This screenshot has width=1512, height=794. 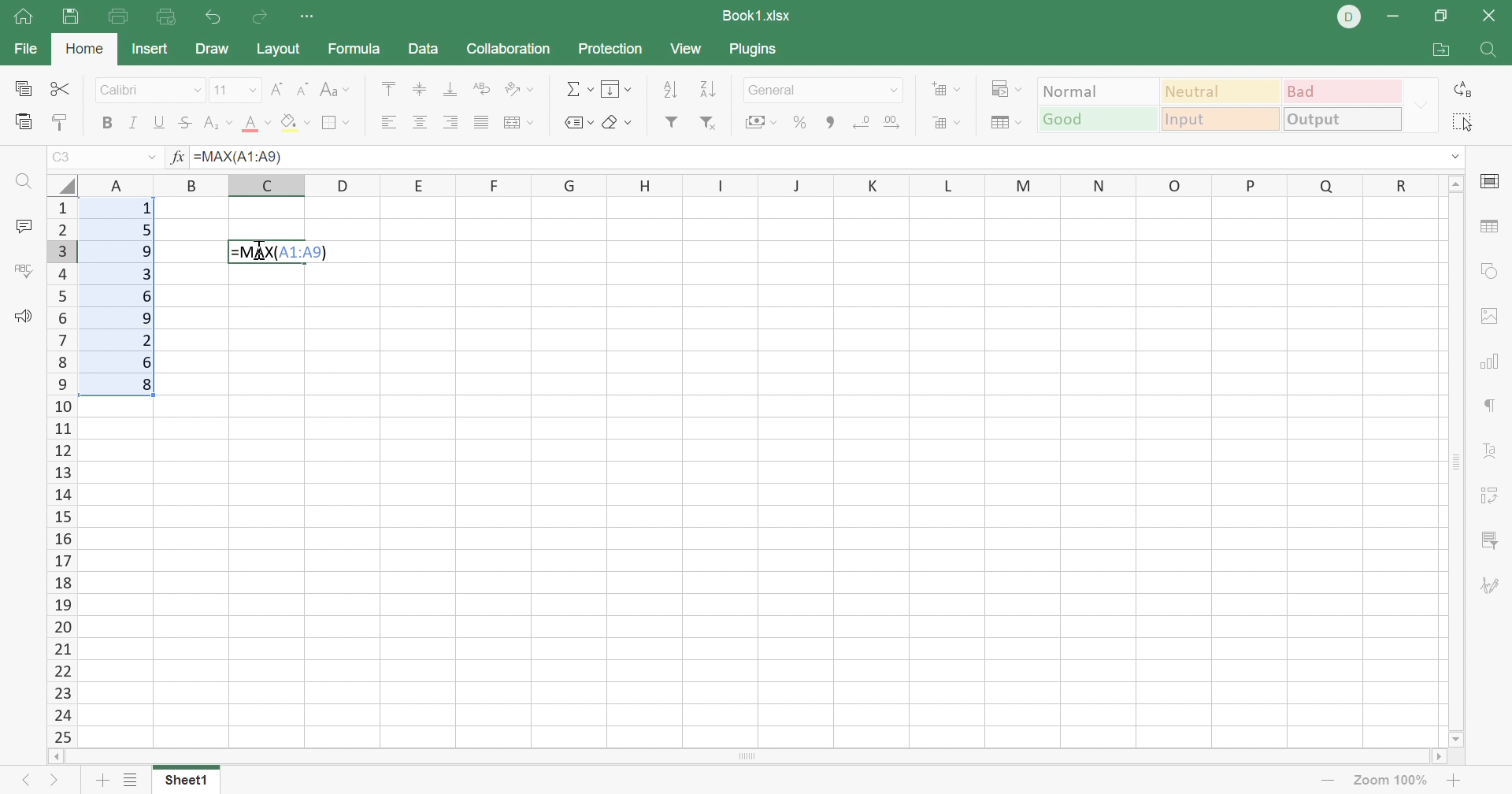 What do you see at coordinates (1445, 48) in the screenshot?
I see `Open file location` at bounding box center [1445, 48].